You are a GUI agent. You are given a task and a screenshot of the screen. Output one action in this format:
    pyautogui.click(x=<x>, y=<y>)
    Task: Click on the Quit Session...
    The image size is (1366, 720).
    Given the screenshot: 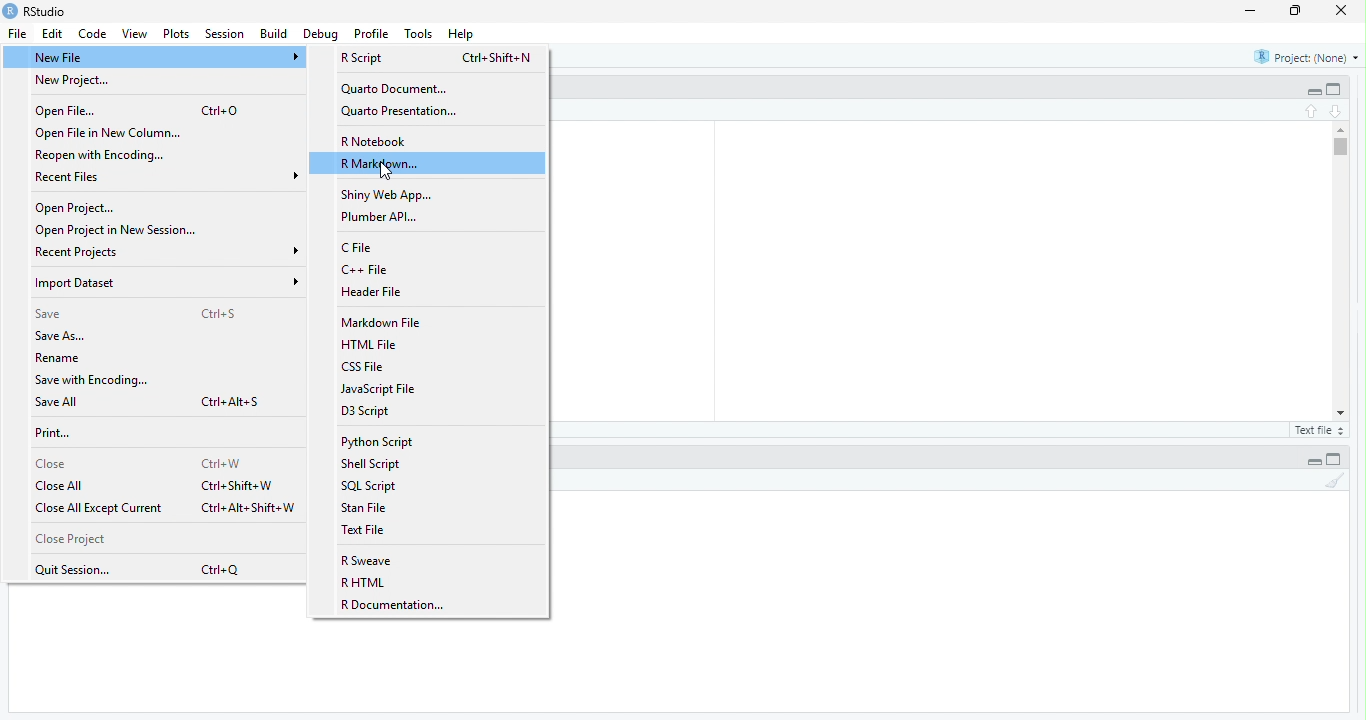 What is the action you would take?
    pyautogui.click(x=75, y=571)
    